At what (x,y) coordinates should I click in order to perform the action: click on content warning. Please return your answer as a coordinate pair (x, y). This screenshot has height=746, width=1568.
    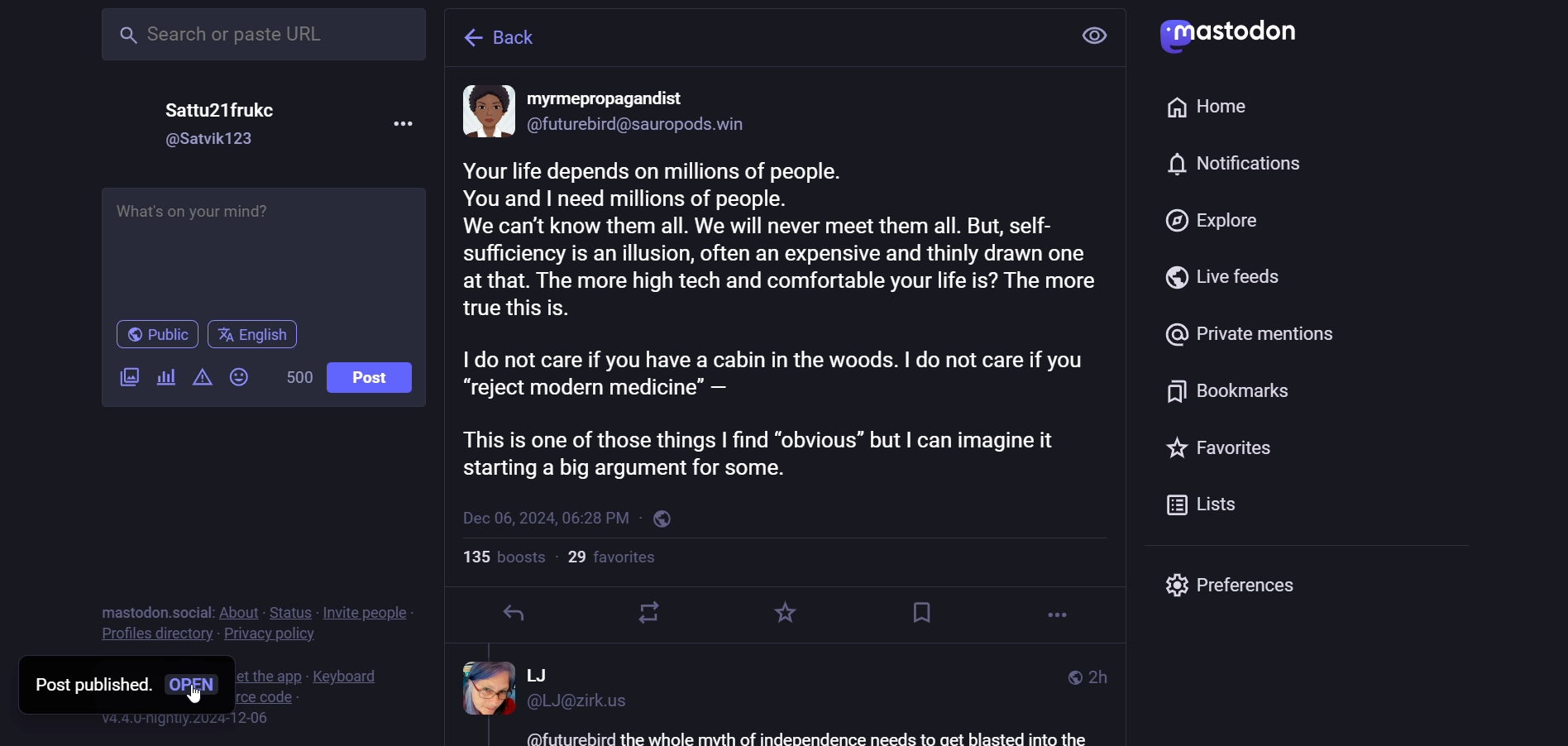
    Looking at the image, I should click on (200, 379).